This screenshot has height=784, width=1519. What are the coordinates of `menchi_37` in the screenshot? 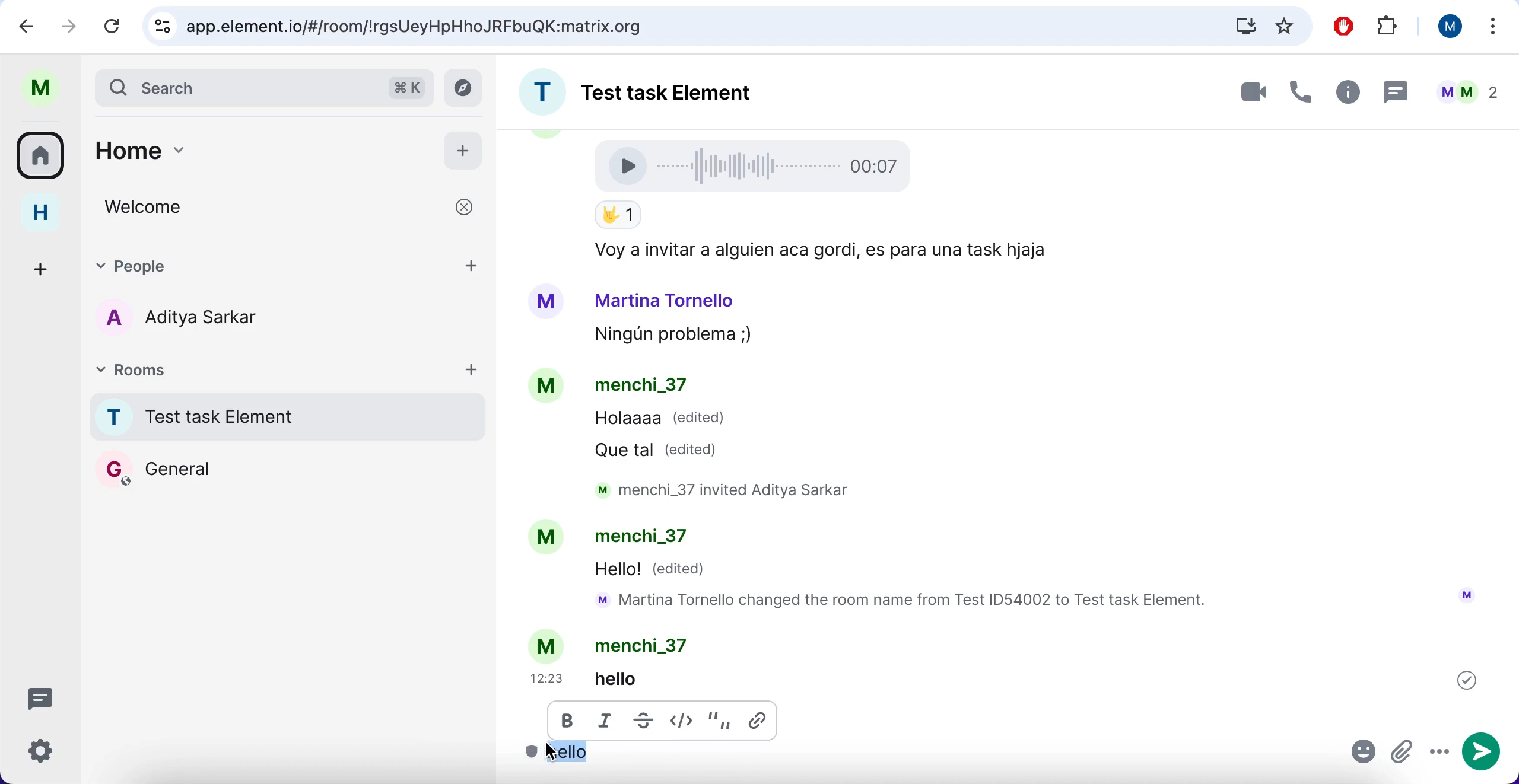 It's located at (641, 387).